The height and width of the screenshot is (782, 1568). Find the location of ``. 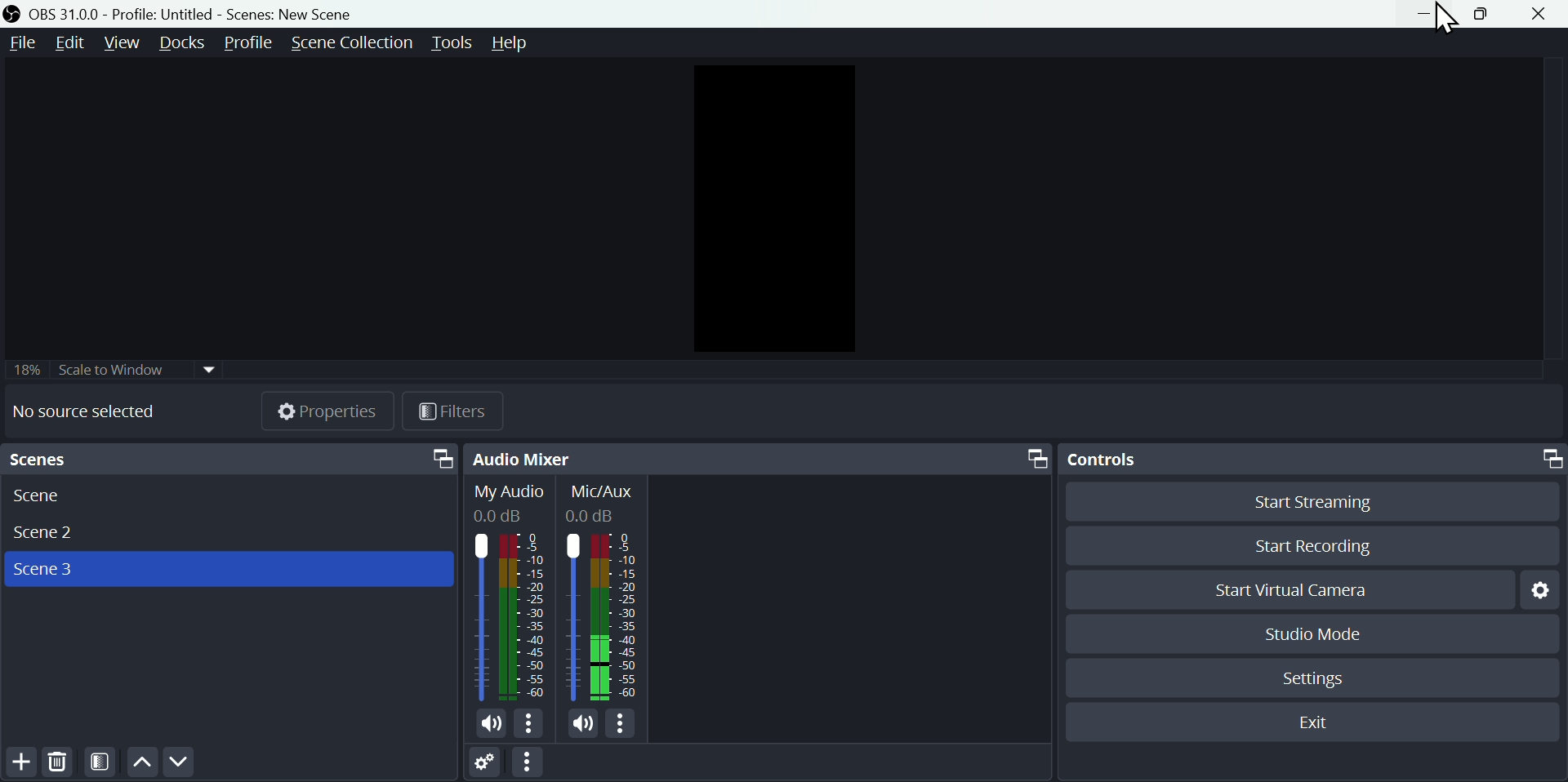

 is located at coordinates (1476, 13).